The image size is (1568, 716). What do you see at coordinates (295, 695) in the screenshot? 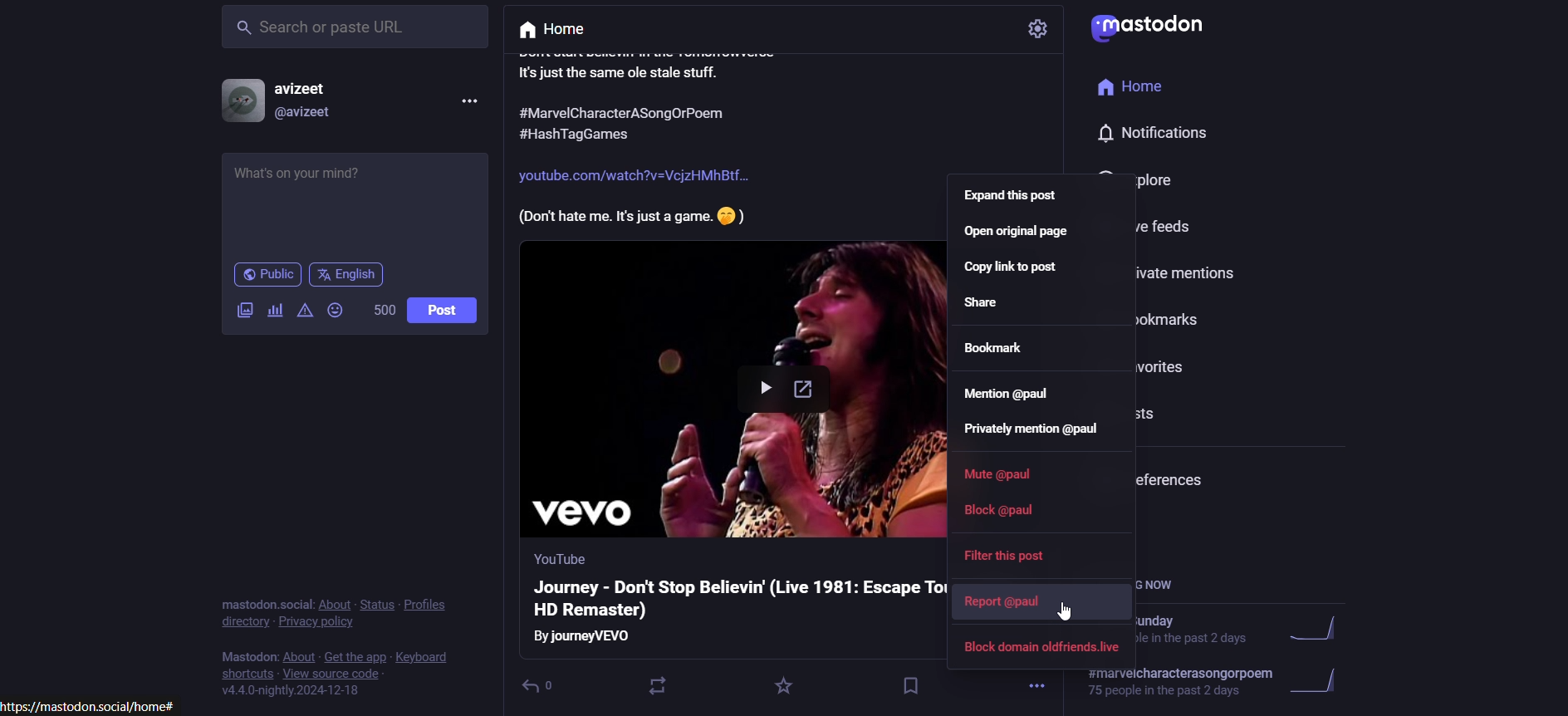
I see `version` at bounding box center [295, 695].